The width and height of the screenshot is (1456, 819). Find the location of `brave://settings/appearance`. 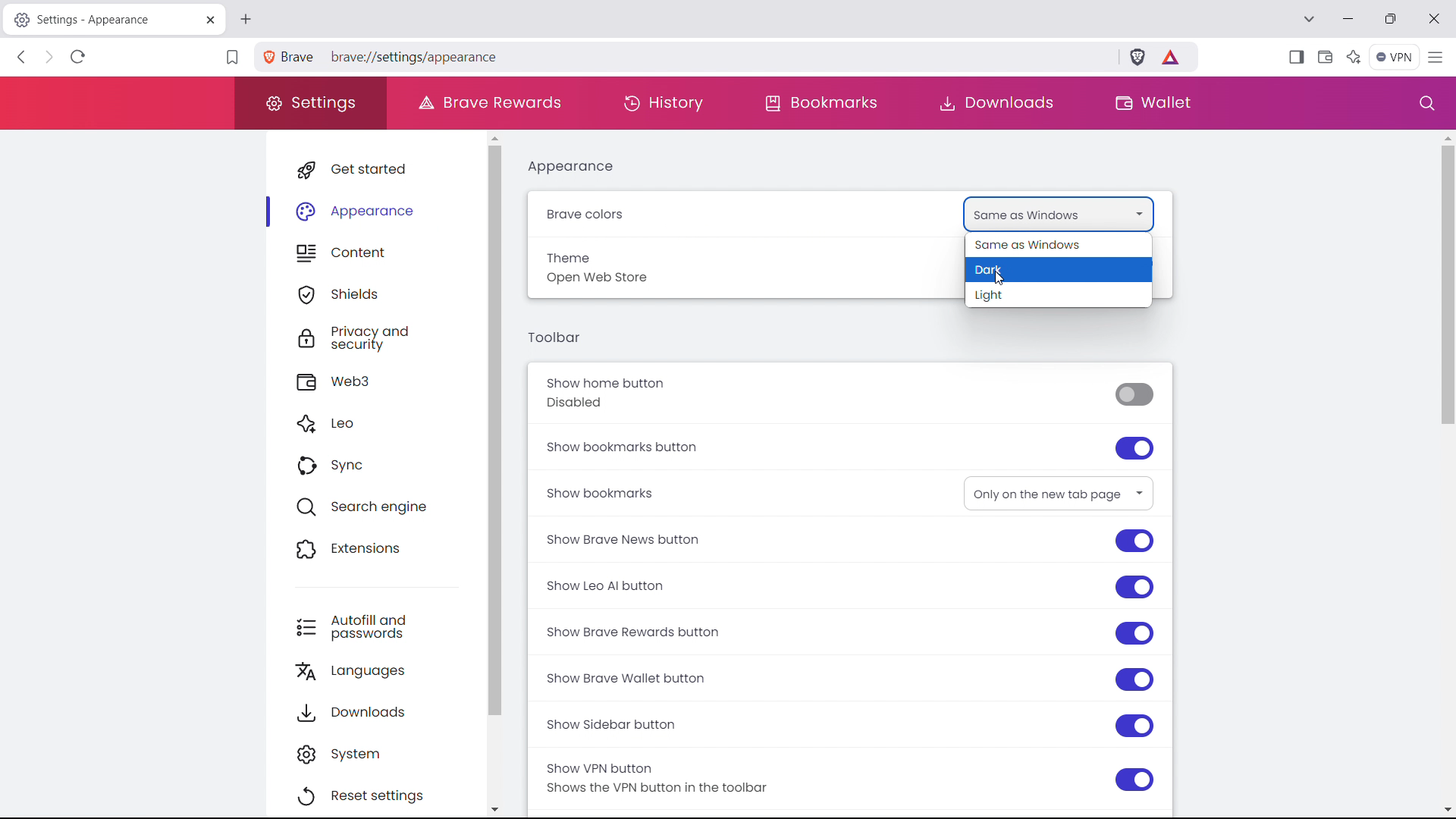

brave://settings/appearance is located at coordinates (715, 57).